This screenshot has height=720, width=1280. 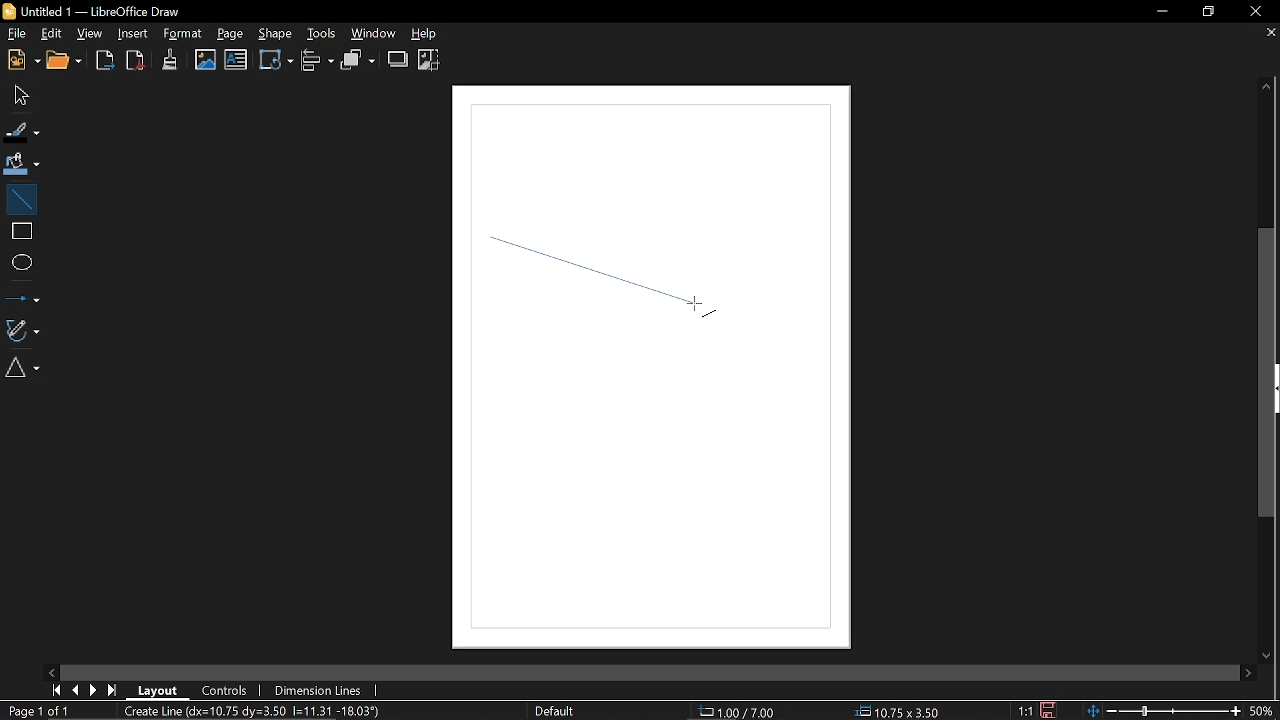 What do you see at coordinates (572, 710) in the screenshot?
I see `Slide master name` at bounding box center [572, 710].